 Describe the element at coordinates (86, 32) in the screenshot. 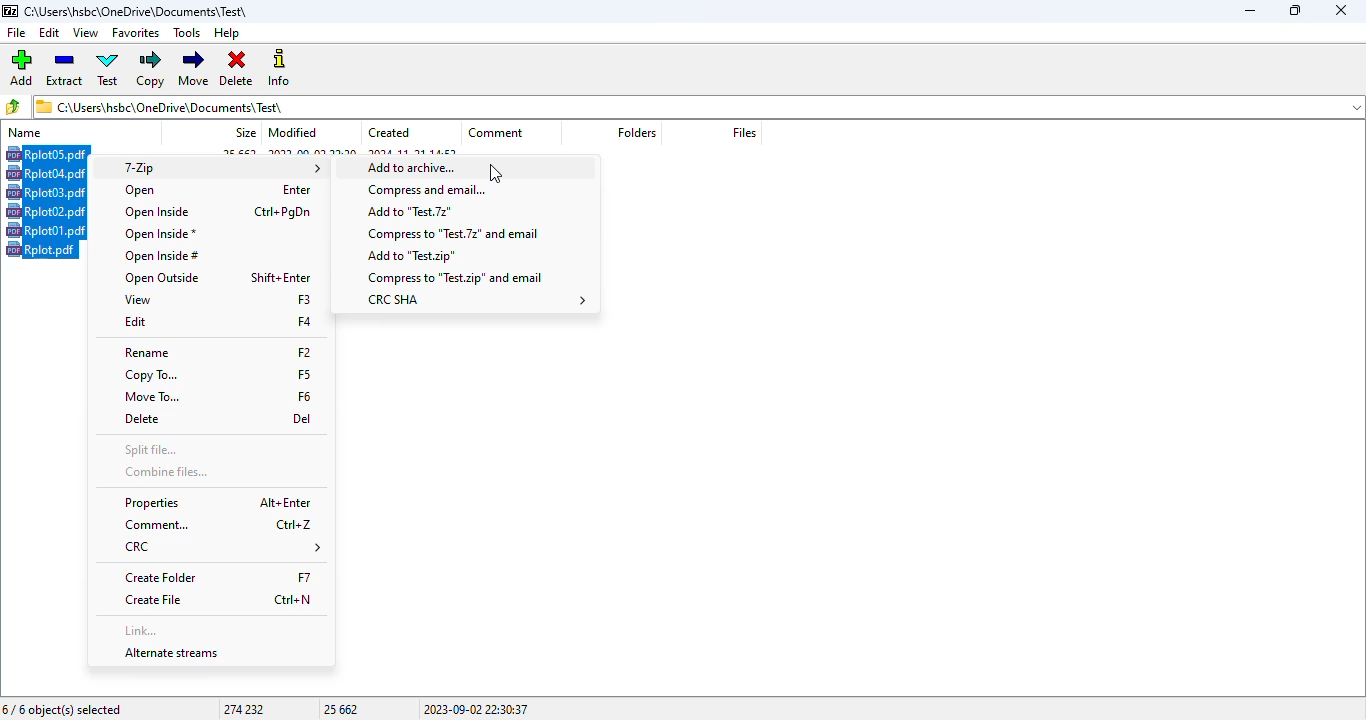

I see `view` at that location.